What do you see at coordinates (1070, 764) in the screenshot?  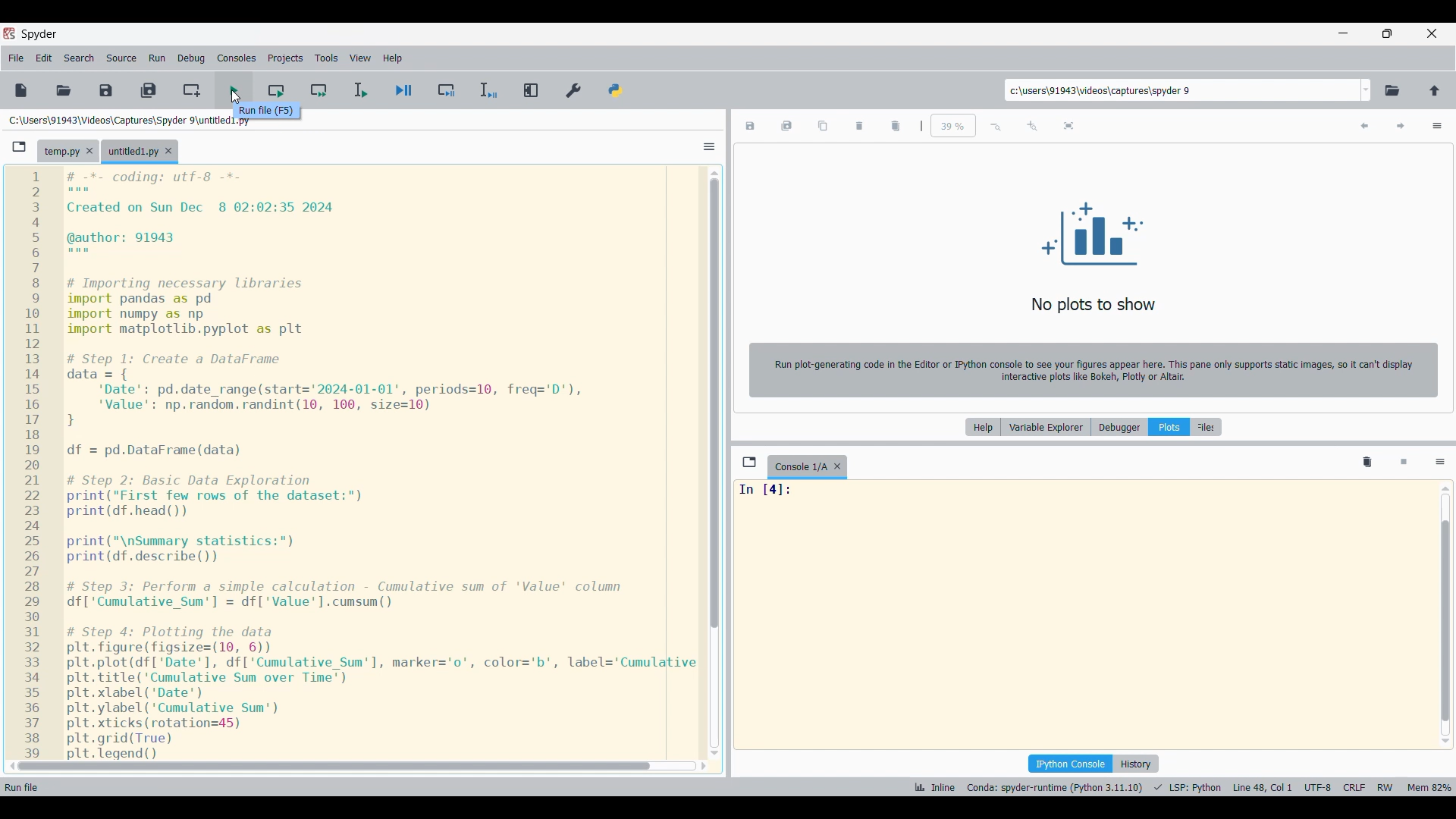 I see `IPython console` at bounding box center [1070, 764].